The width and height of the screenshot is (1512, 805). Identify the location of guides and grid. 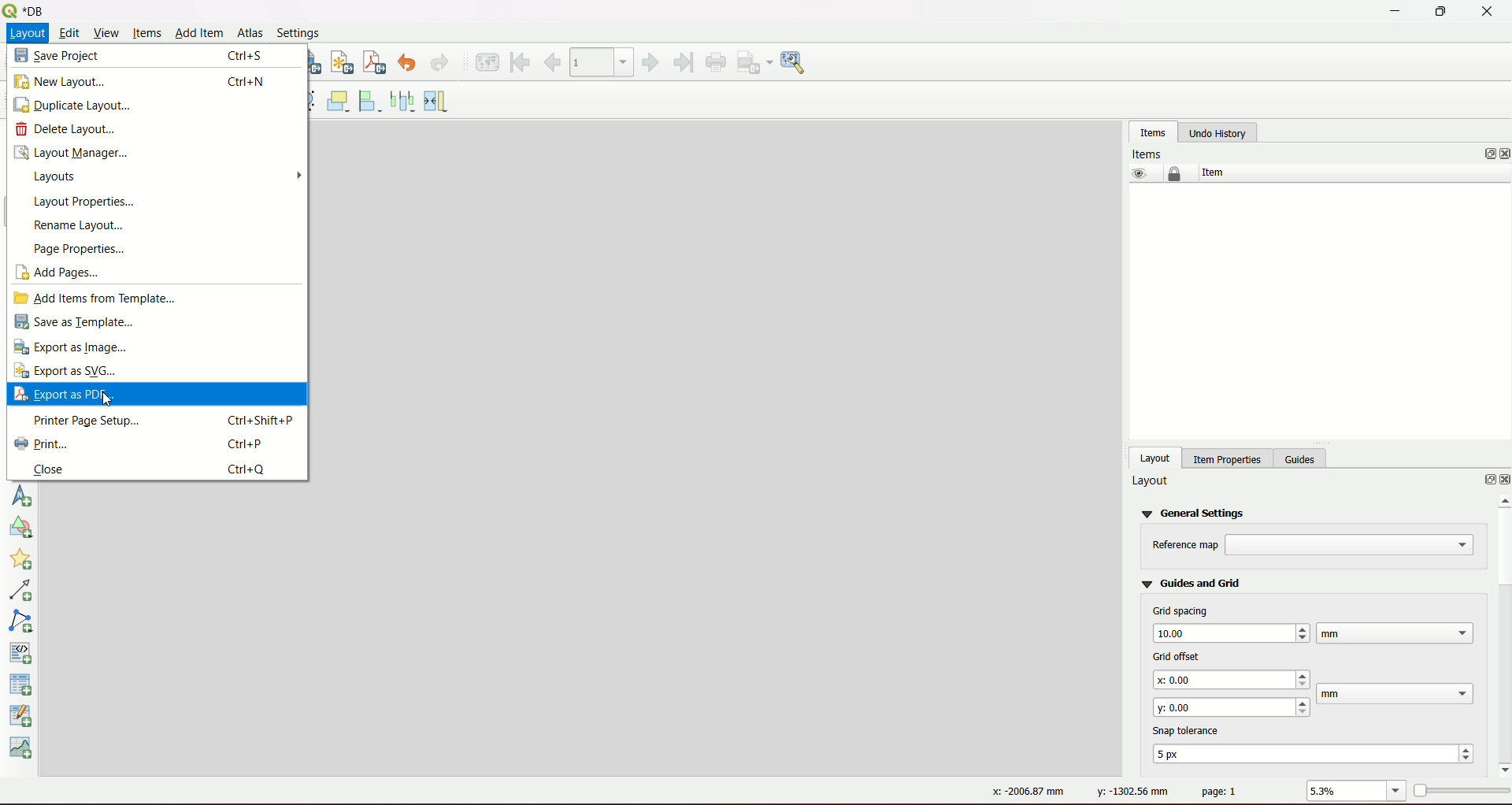
(1191, 582).